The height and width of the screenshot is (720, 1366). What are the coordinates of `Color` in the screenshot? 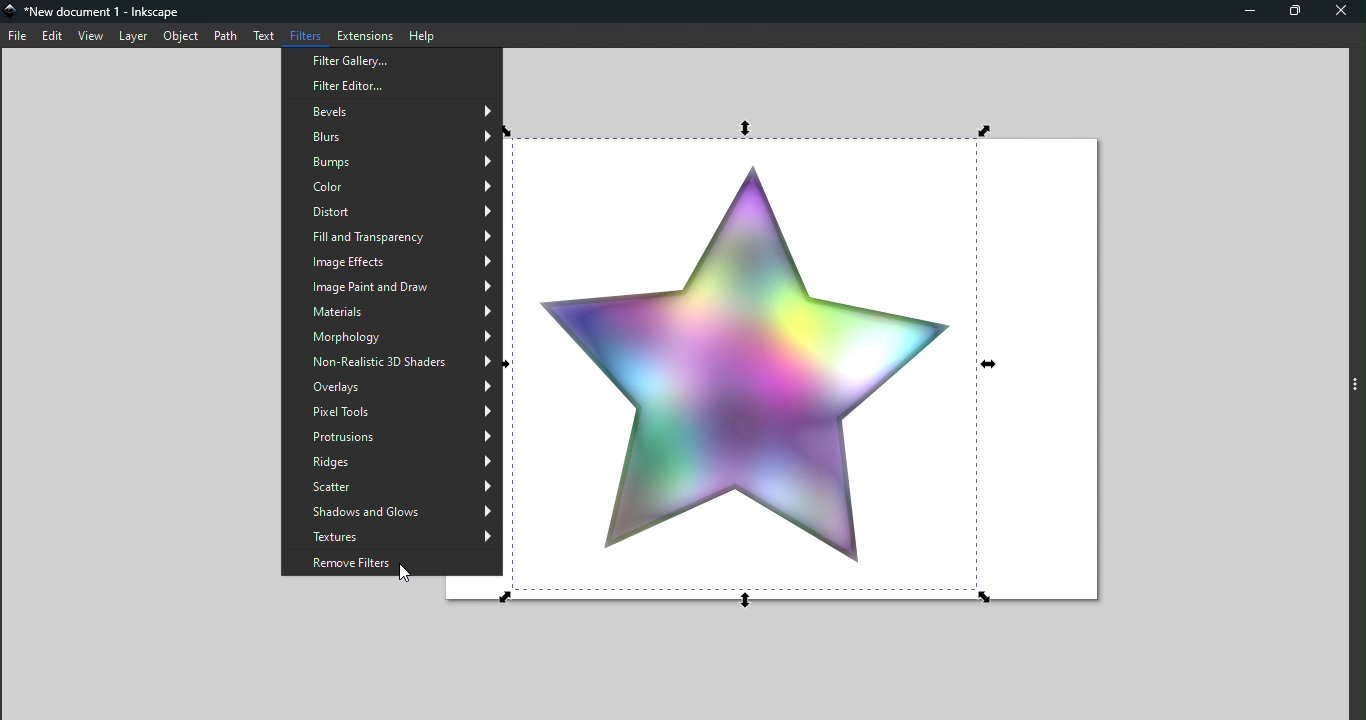 It's located at (392, 188).